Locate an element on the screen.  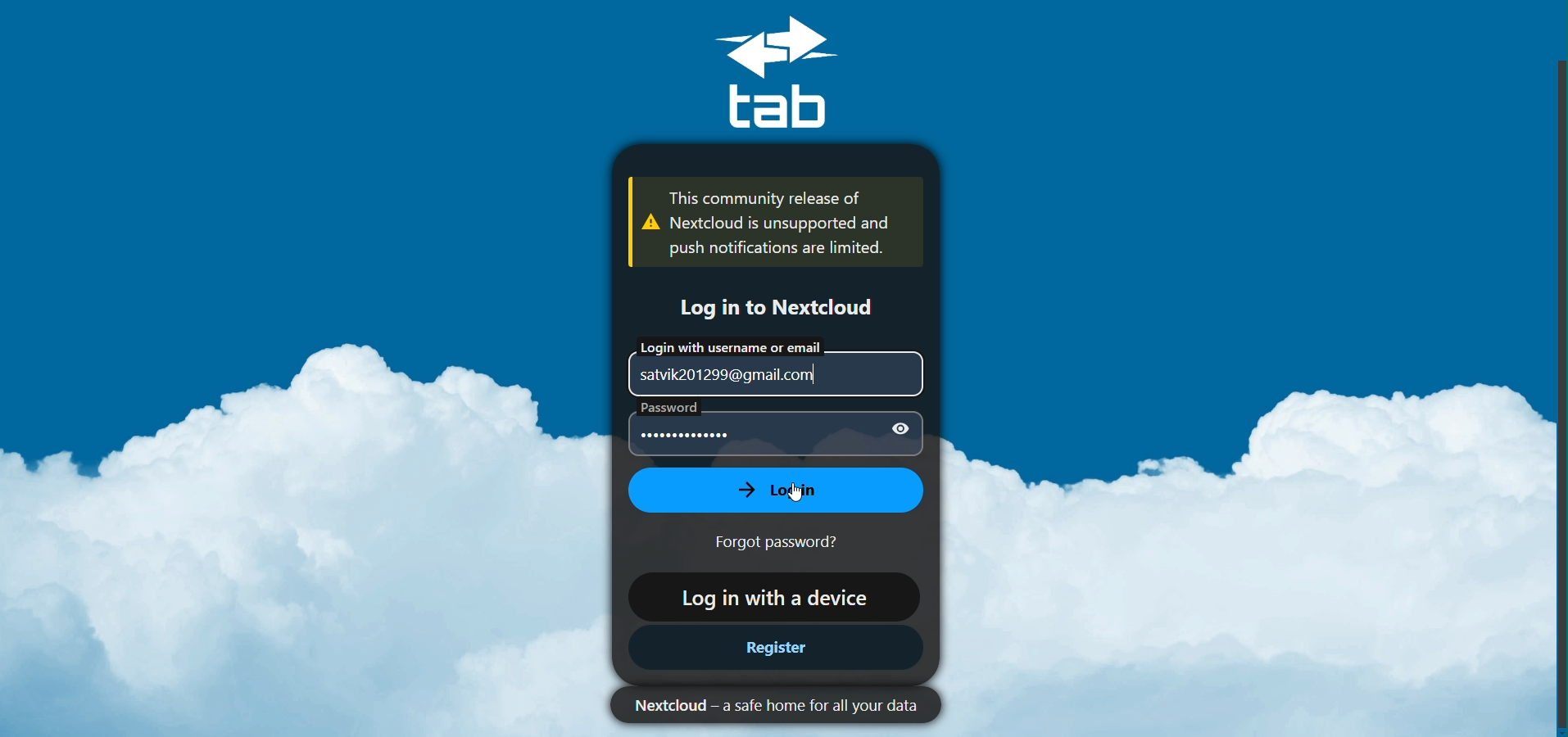
This community release of Nextcloud is unsupported and push notifications are limited.(Warning Message) is located at coordinates (766, 223).